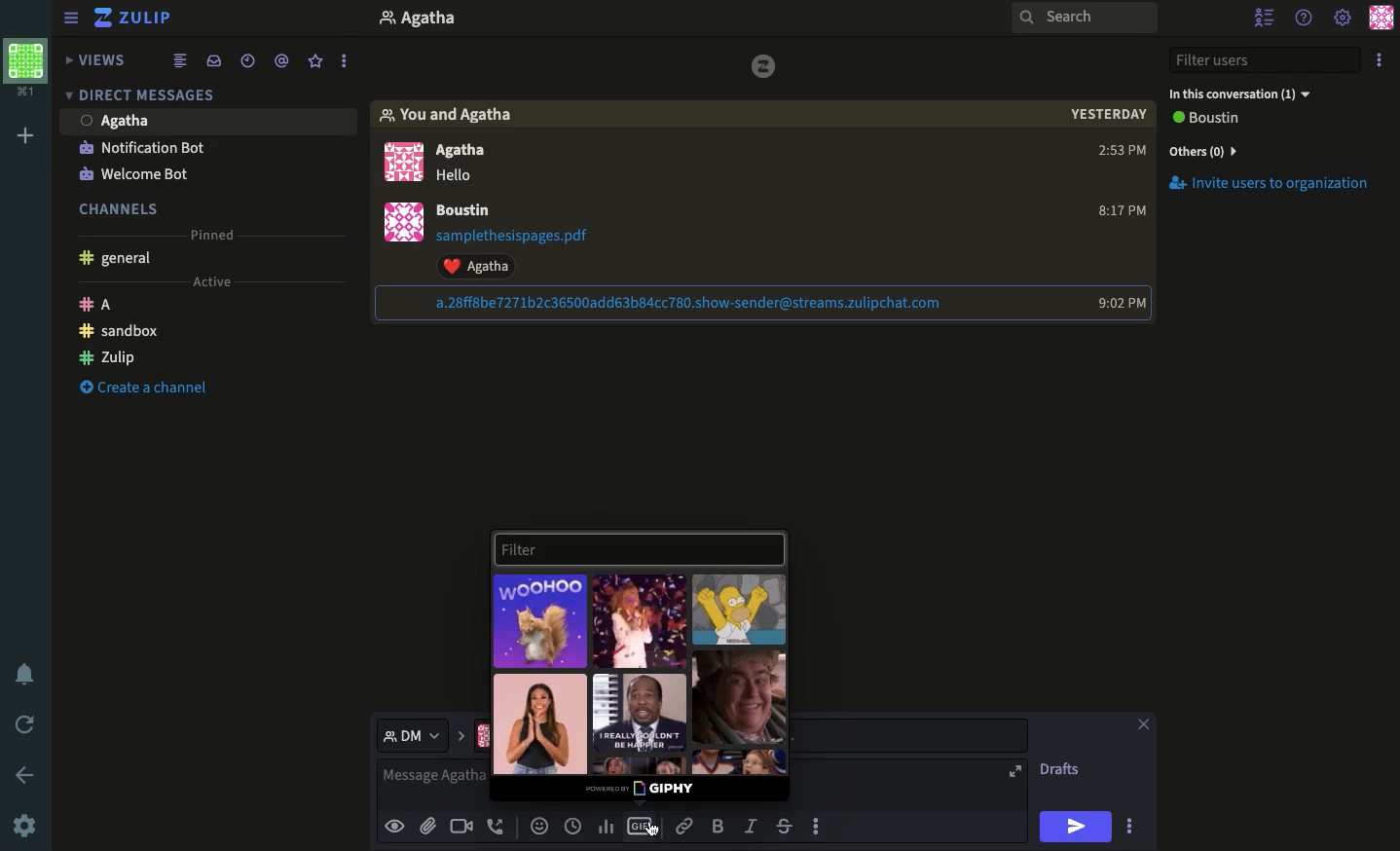 The width and height of the screenshot is (1400, 851). Describe the element at coordinates (1261, 18) in the screenshot. I see `Hide user list` at that location.